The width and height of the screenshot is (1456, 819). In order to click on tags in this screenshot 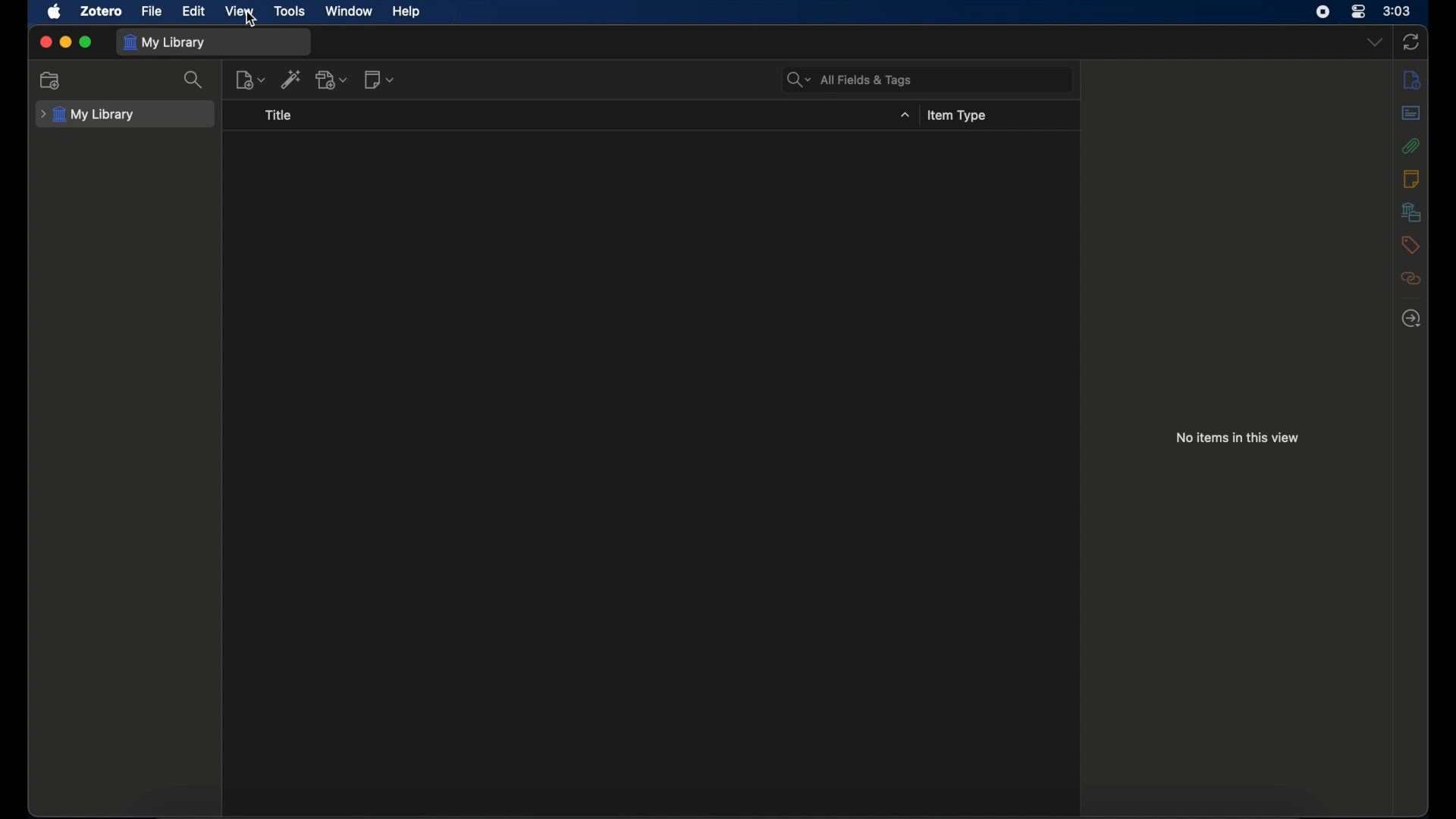, I will do `click(1409, 244)`.